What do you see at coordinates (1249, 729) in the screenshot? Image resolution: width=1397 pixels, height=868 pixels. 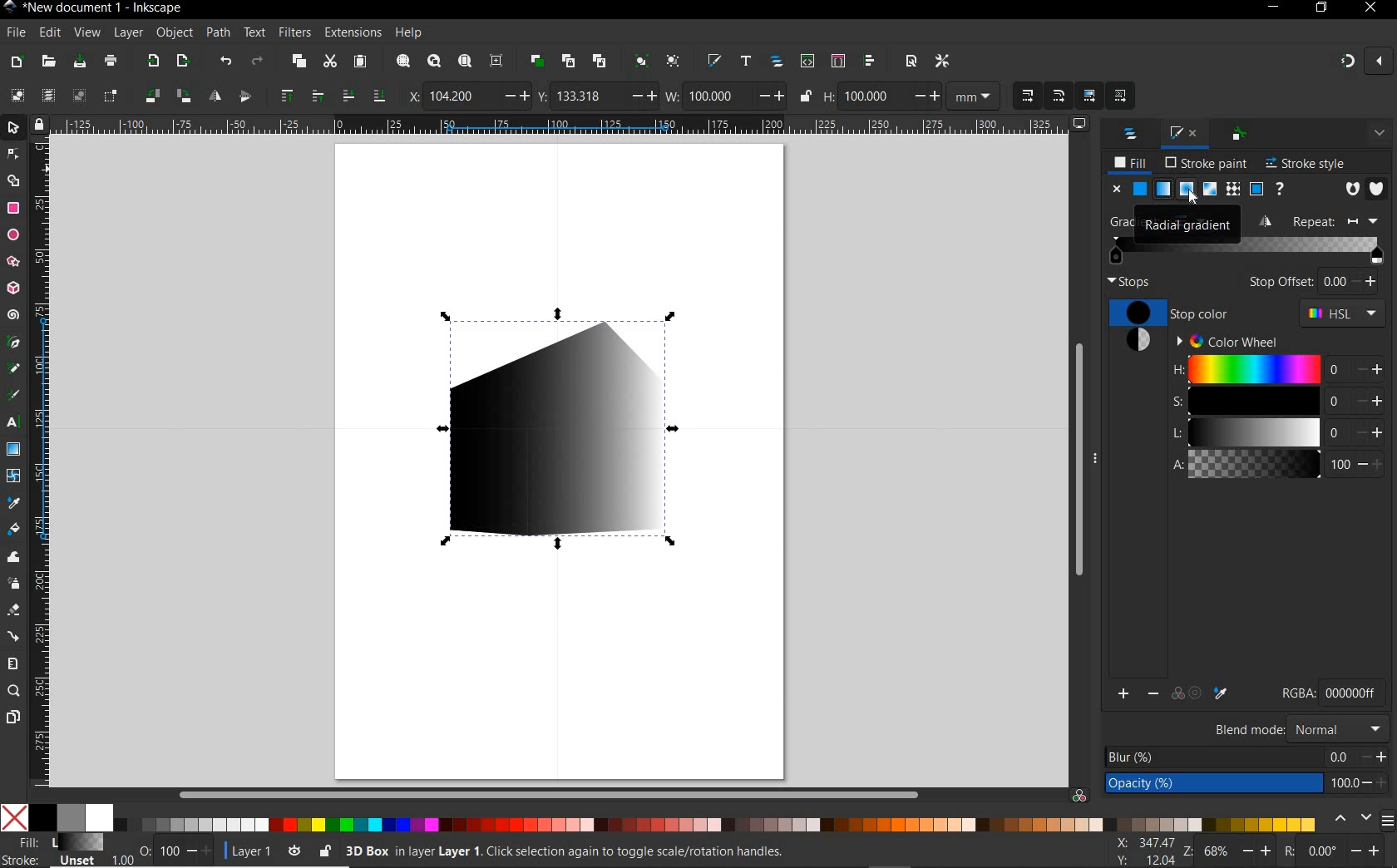 I see `BLEND MODE` at bounding box center [1249, 729].